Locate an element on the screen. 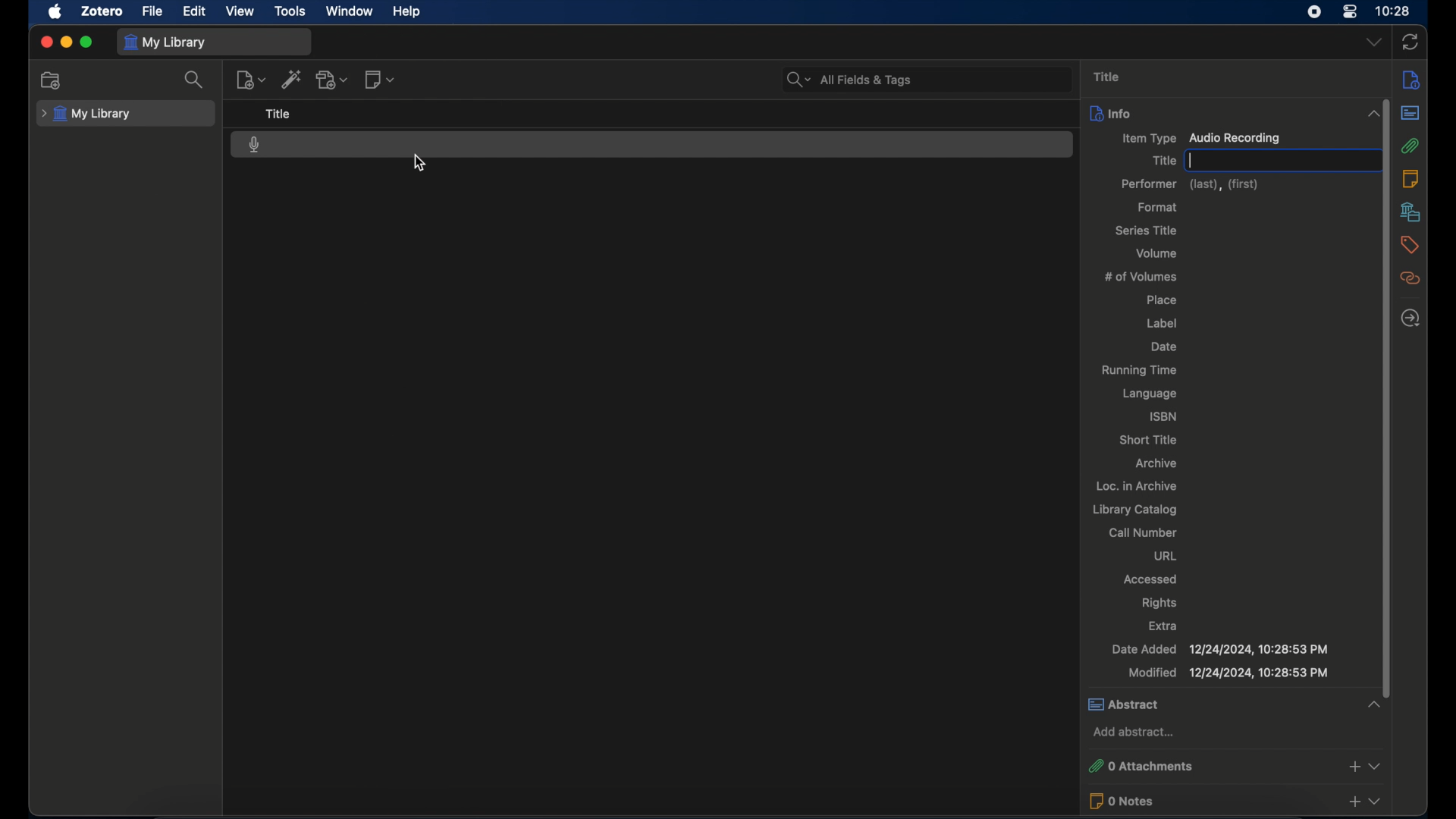 The width and height of the screenshot is (1456, 819). search is located at coordinates (194, 79).